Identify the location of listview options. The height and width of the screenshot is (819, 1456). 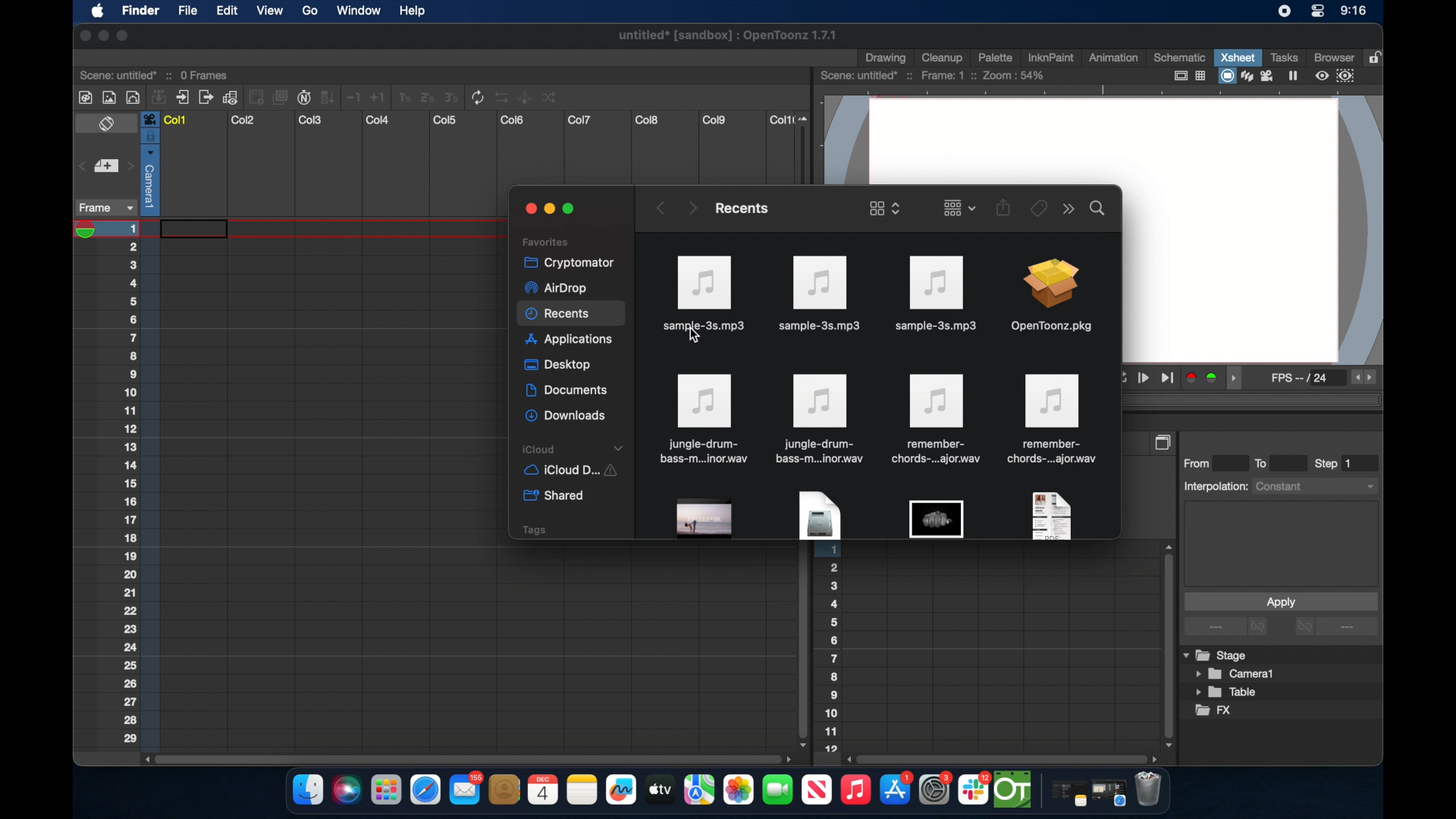
(884, 208).